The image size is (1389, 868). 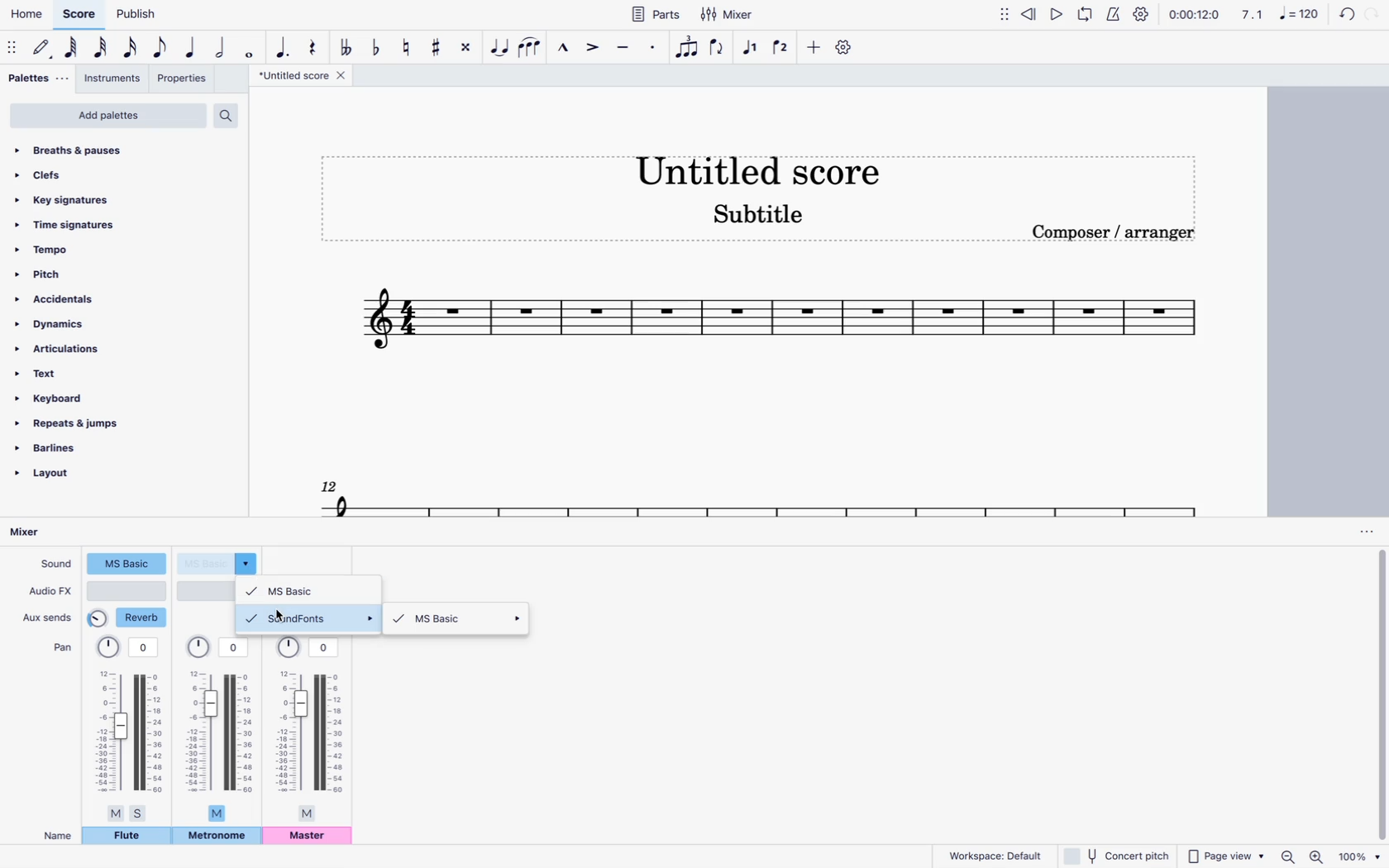 What do you see at coordinates (1117, 856) in the screenshot?
I see `concert pitch` at bounding box center [1117, 856].